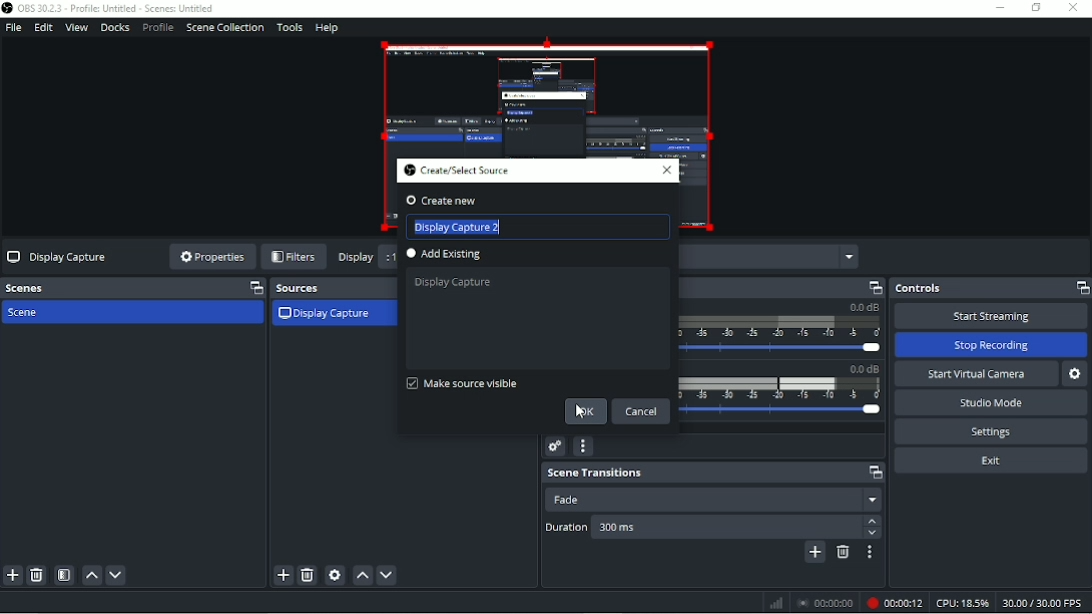 Image resolution: width=1092 pixels, height=614 pixels. I want to click on Duration 300 ms., so click(729, 528).